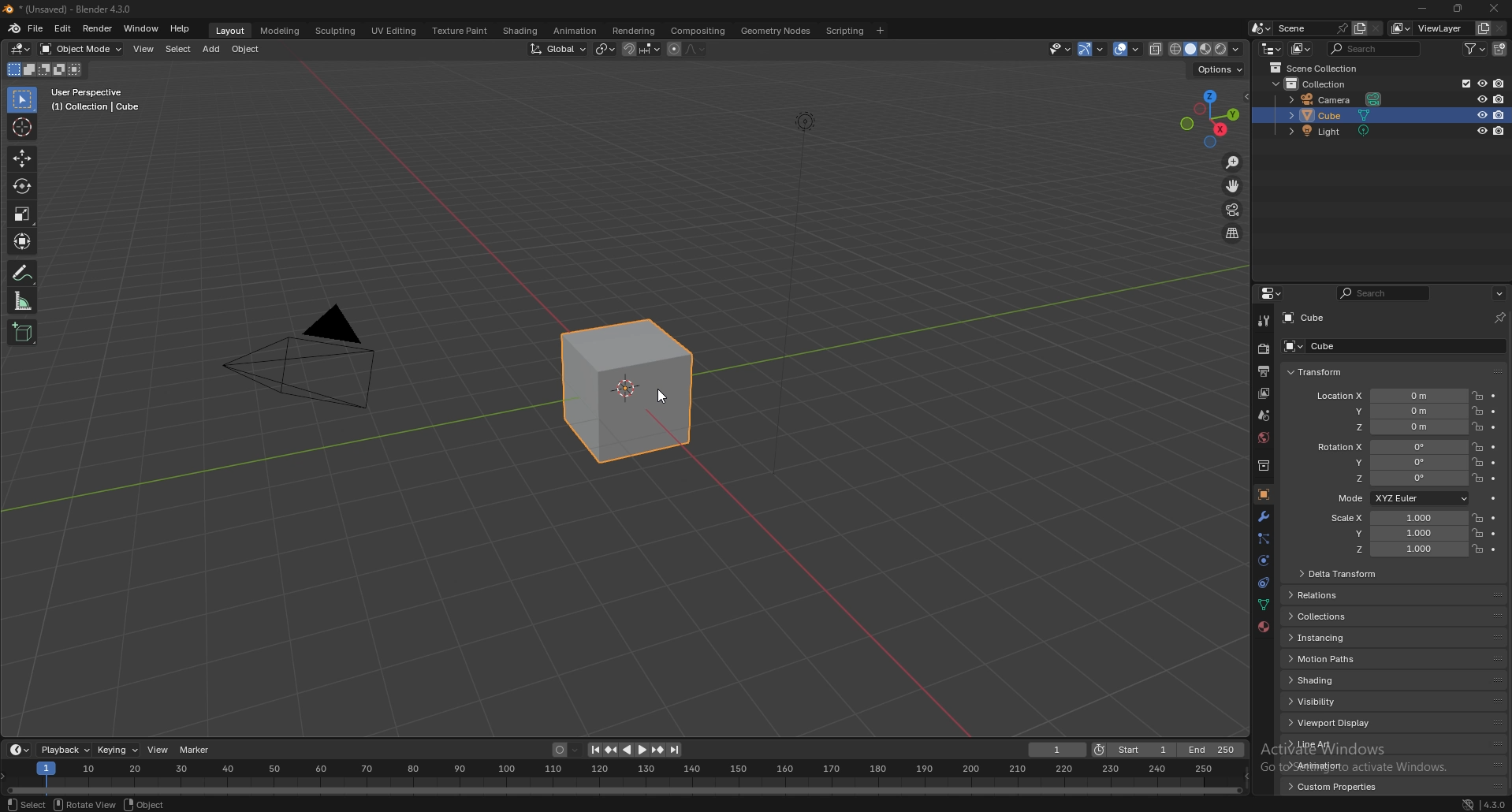  What do you see at coordinates (640, 49) in the screenshot?
I see `snapping` at bounding box center [640, 49].